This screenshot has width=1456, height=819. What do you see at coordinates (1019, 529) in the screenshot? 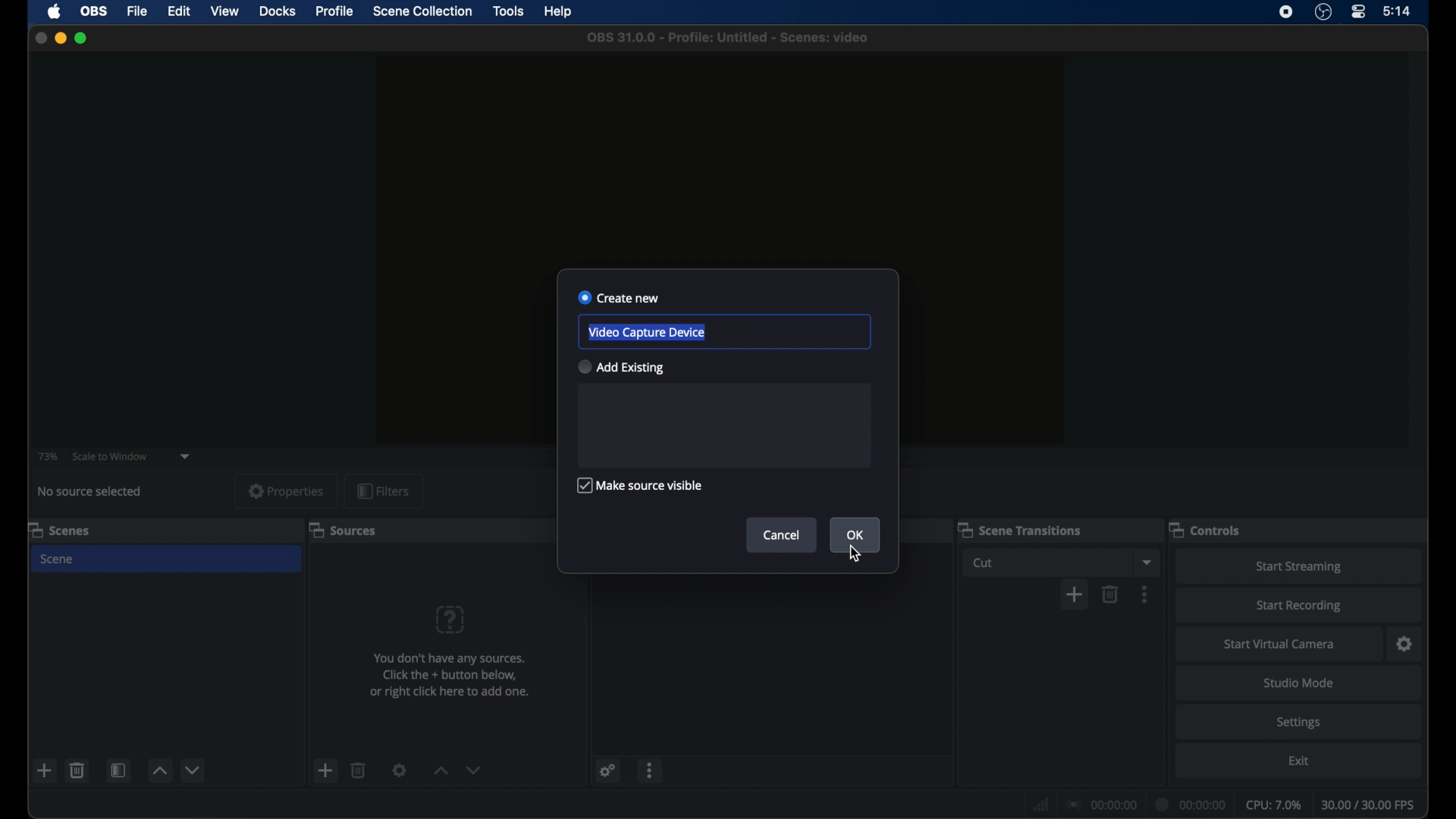
I see `scene transitions` at bounding box center [1019, 529].